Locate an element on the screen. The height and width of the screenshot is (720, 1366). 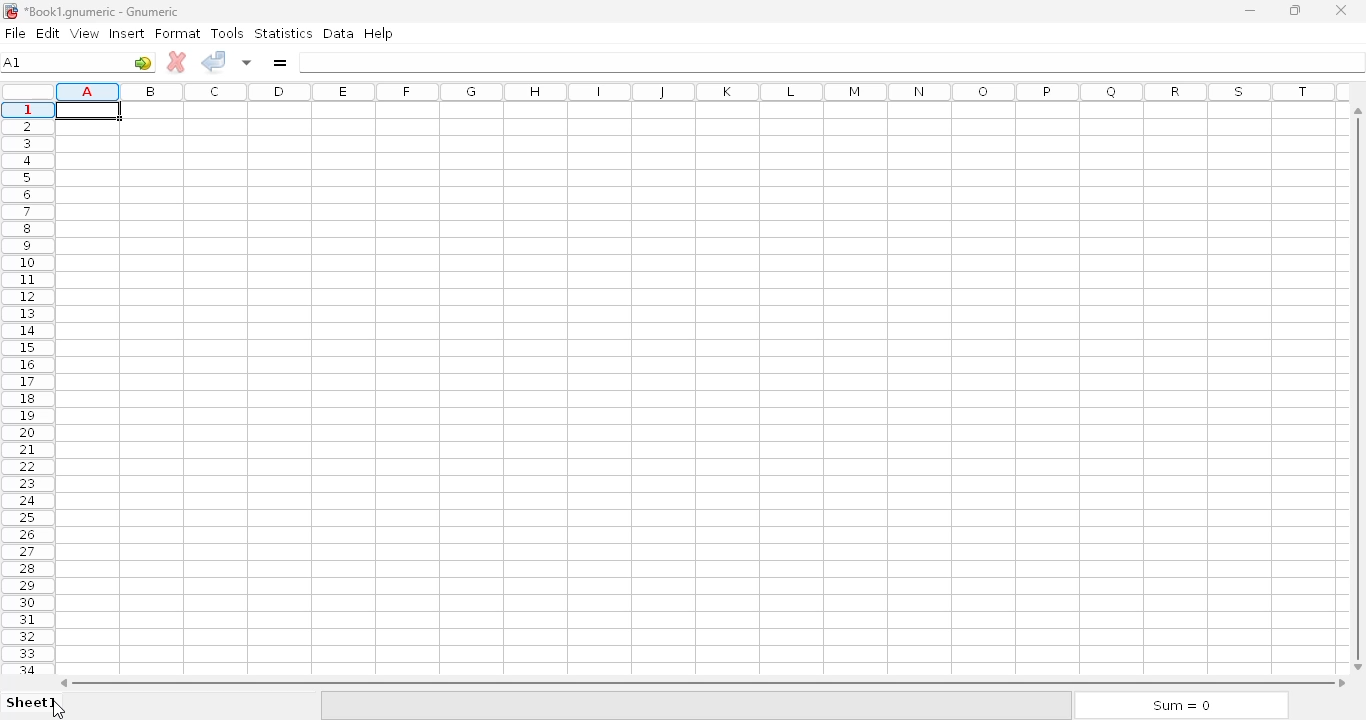
sheet1 is located at coordinates (32, 702).